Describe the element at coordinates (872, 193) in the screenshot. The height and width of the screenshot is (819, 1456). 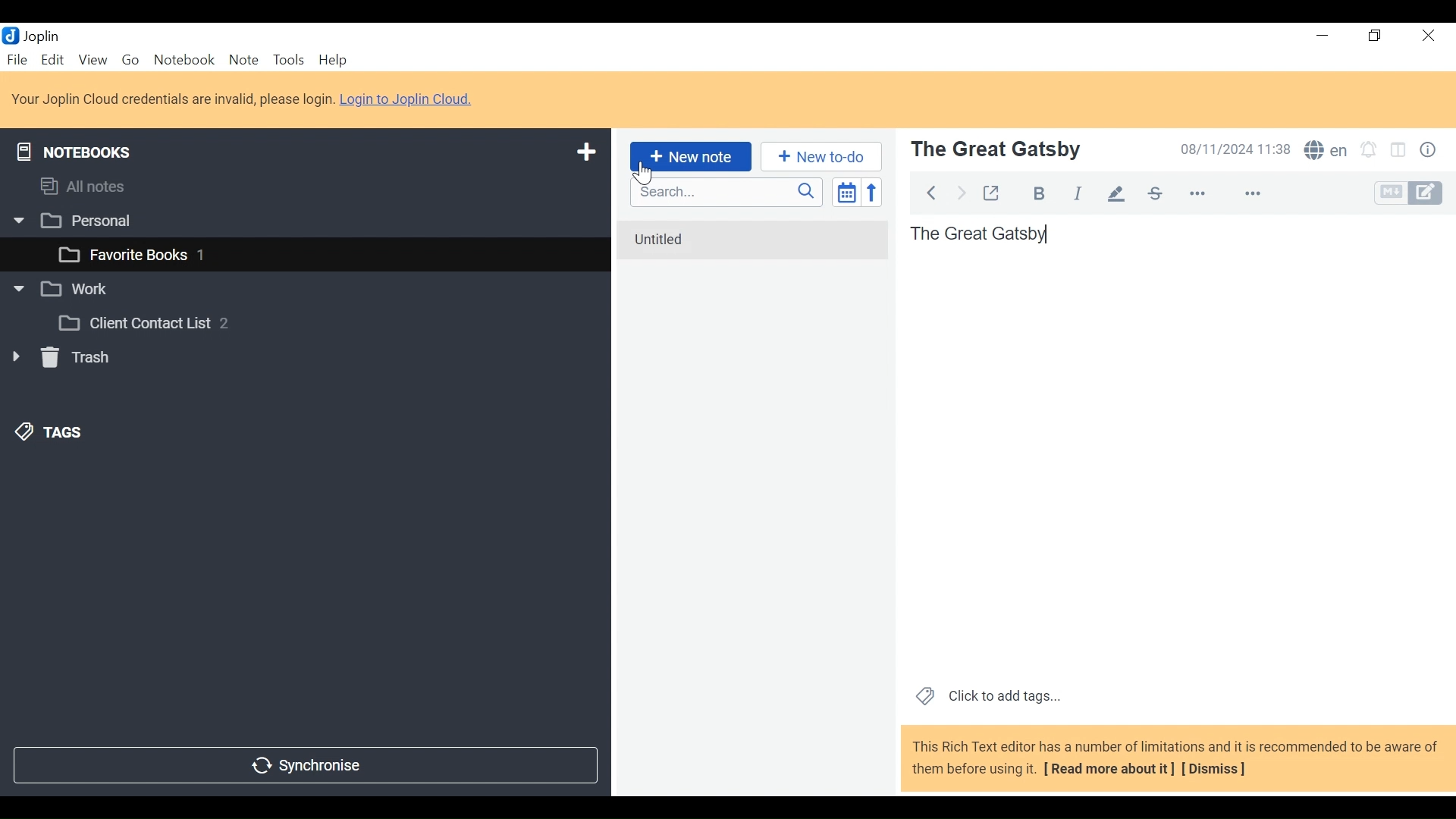
I see `Reverse sort order` at that location.